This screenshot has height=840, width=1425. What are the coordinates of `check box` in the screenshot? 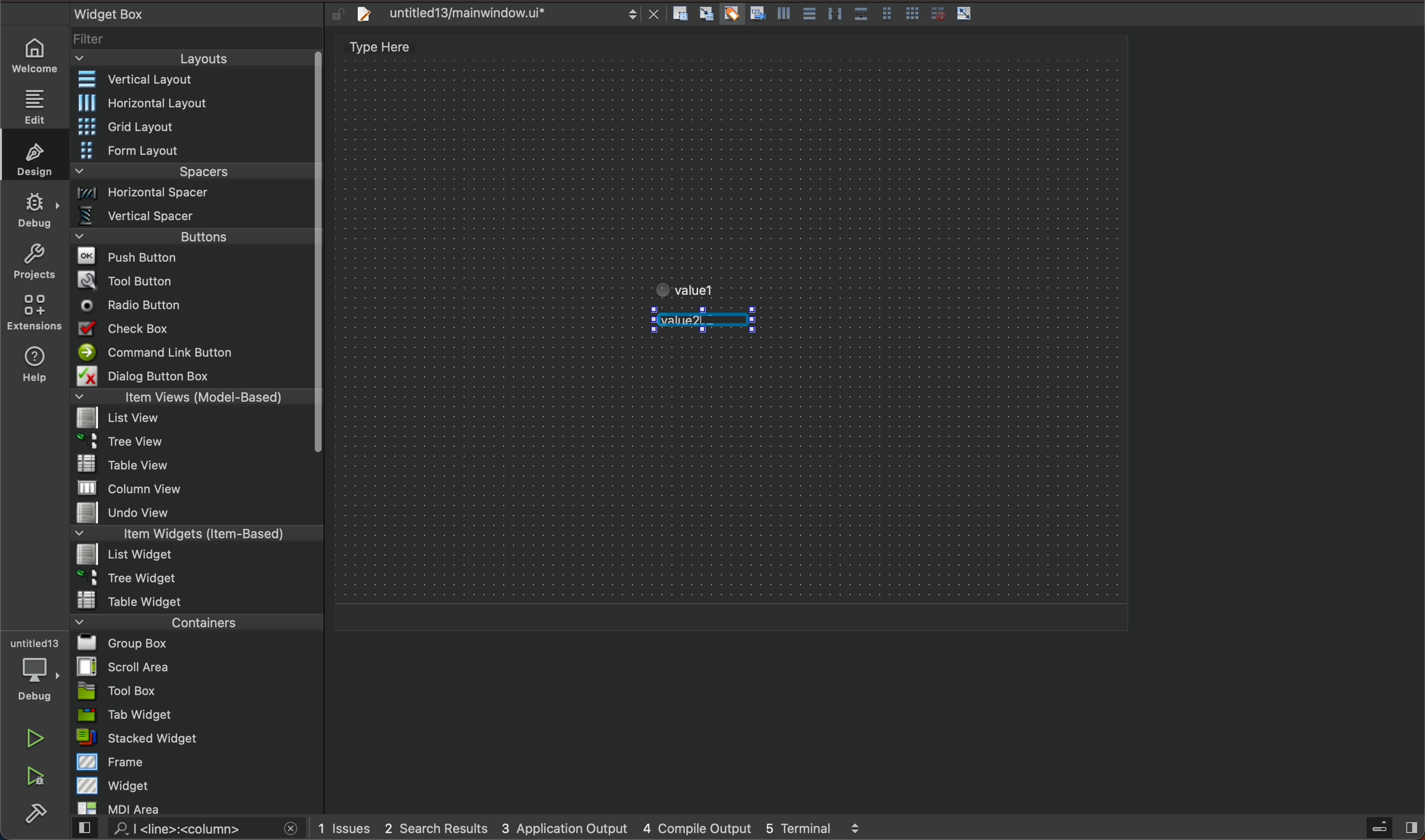 It's located at (192, 331).